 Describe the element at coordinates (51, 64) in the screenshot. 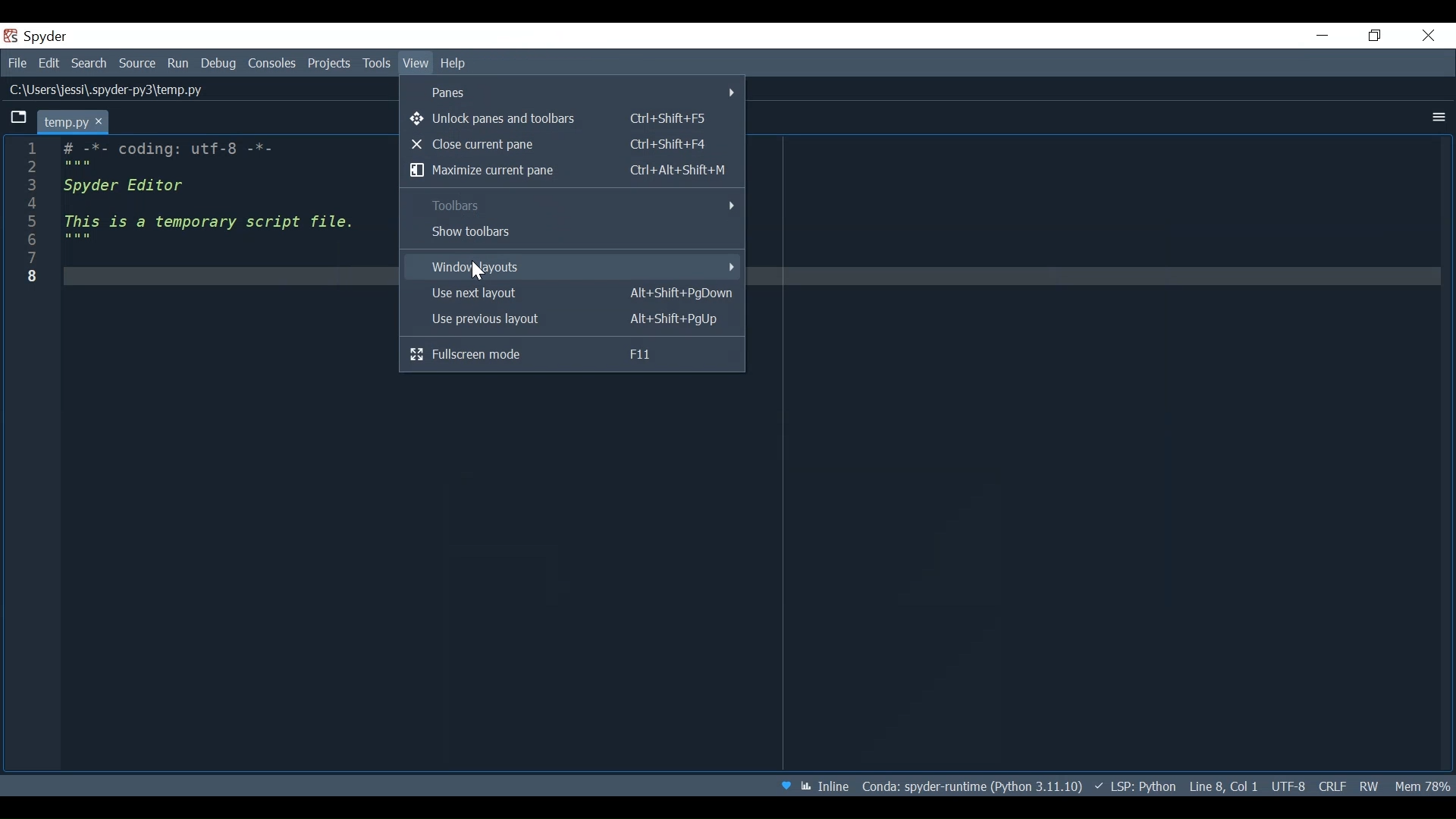

I see `Edit` at that location.